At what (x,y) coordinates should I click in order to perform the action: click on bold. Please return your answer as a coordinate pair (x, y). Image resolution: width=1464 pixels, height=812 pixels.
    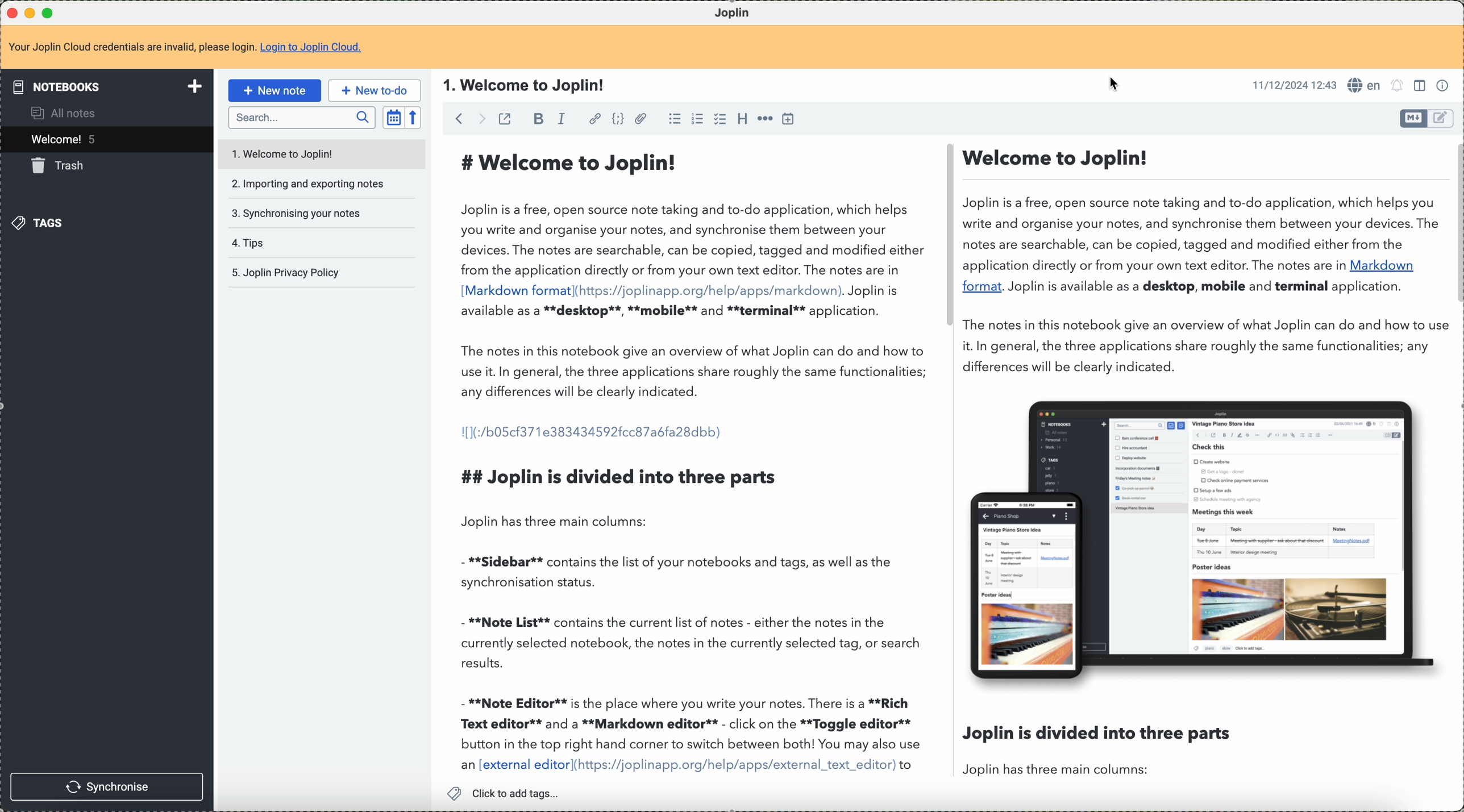
    Looking at the image, I should click on (537, 120).